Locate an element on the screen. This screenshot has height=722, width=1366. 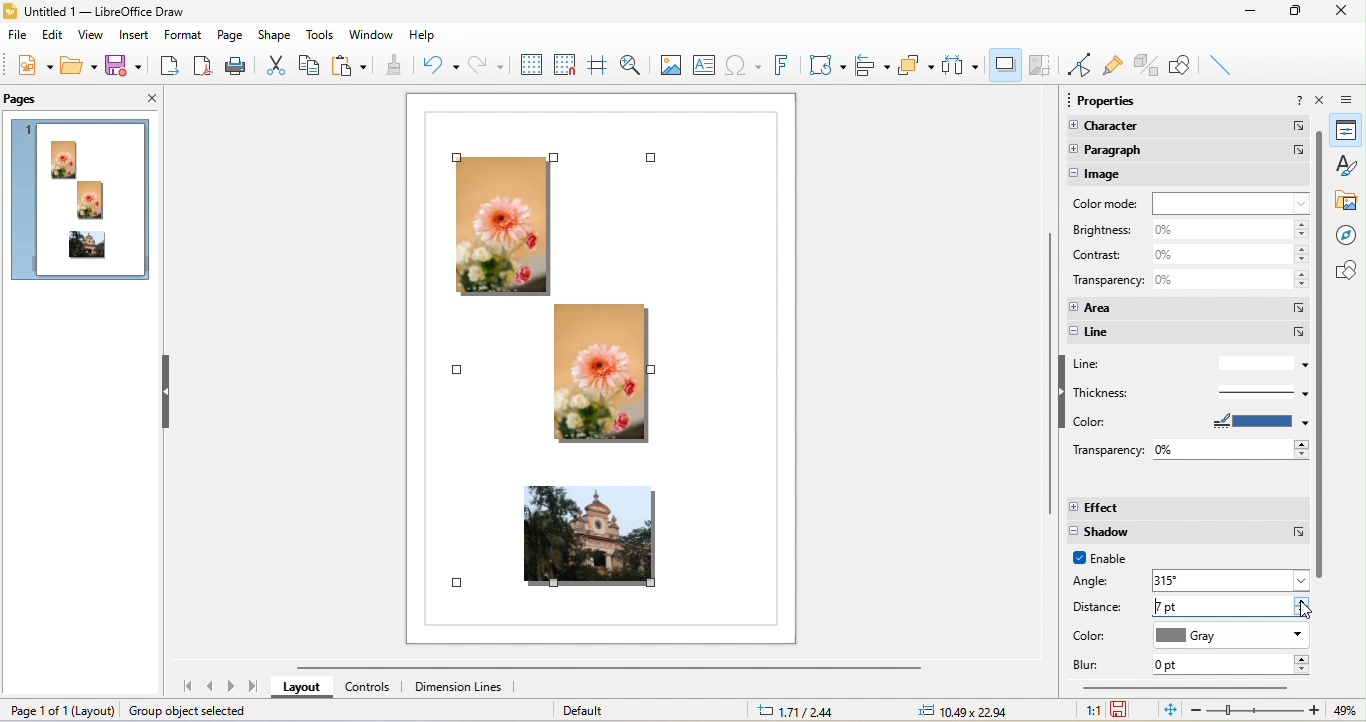
edit is located at coordinates (53, 38).